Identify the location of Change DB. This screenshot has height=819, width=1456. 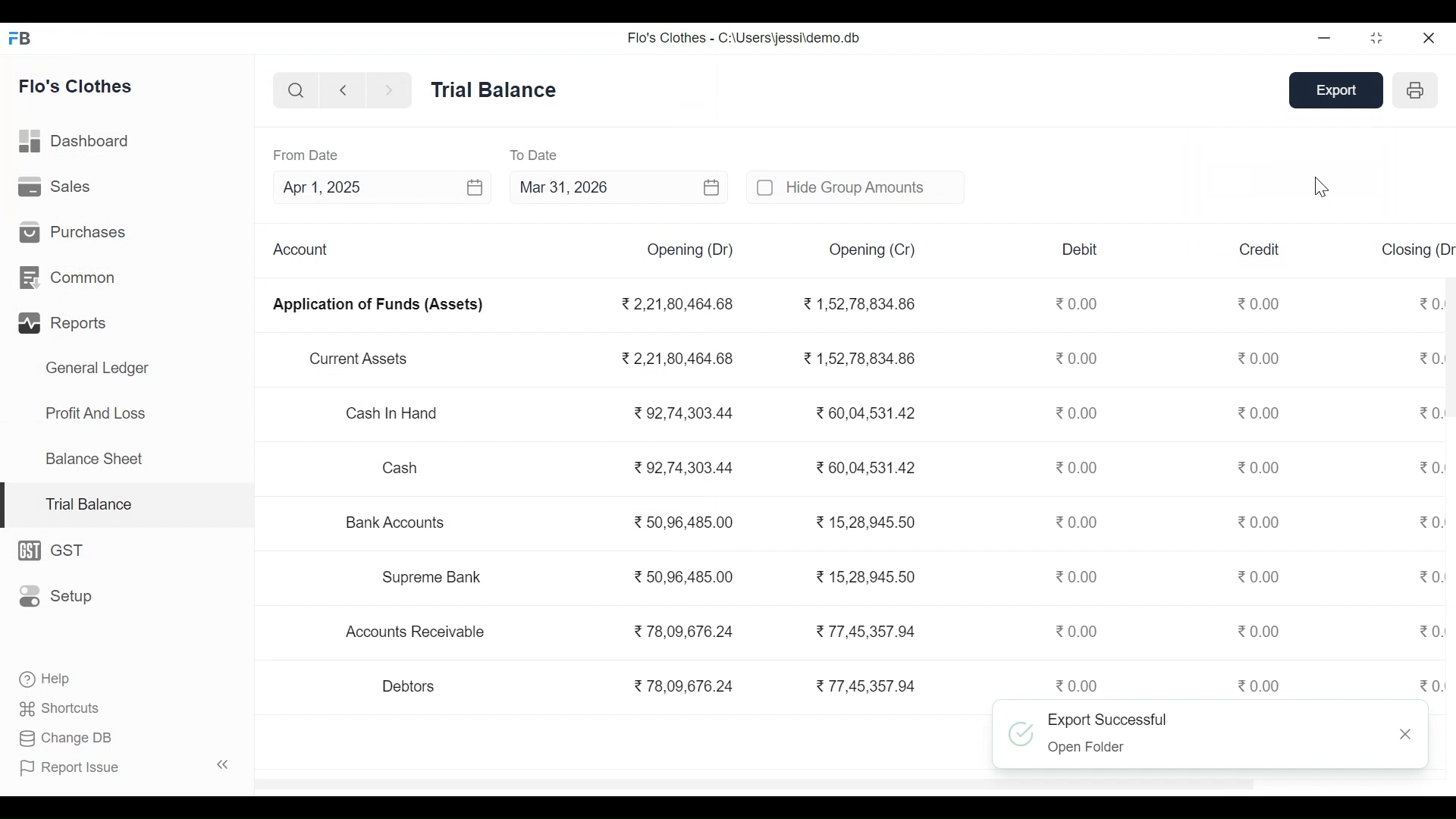
(69, 738).